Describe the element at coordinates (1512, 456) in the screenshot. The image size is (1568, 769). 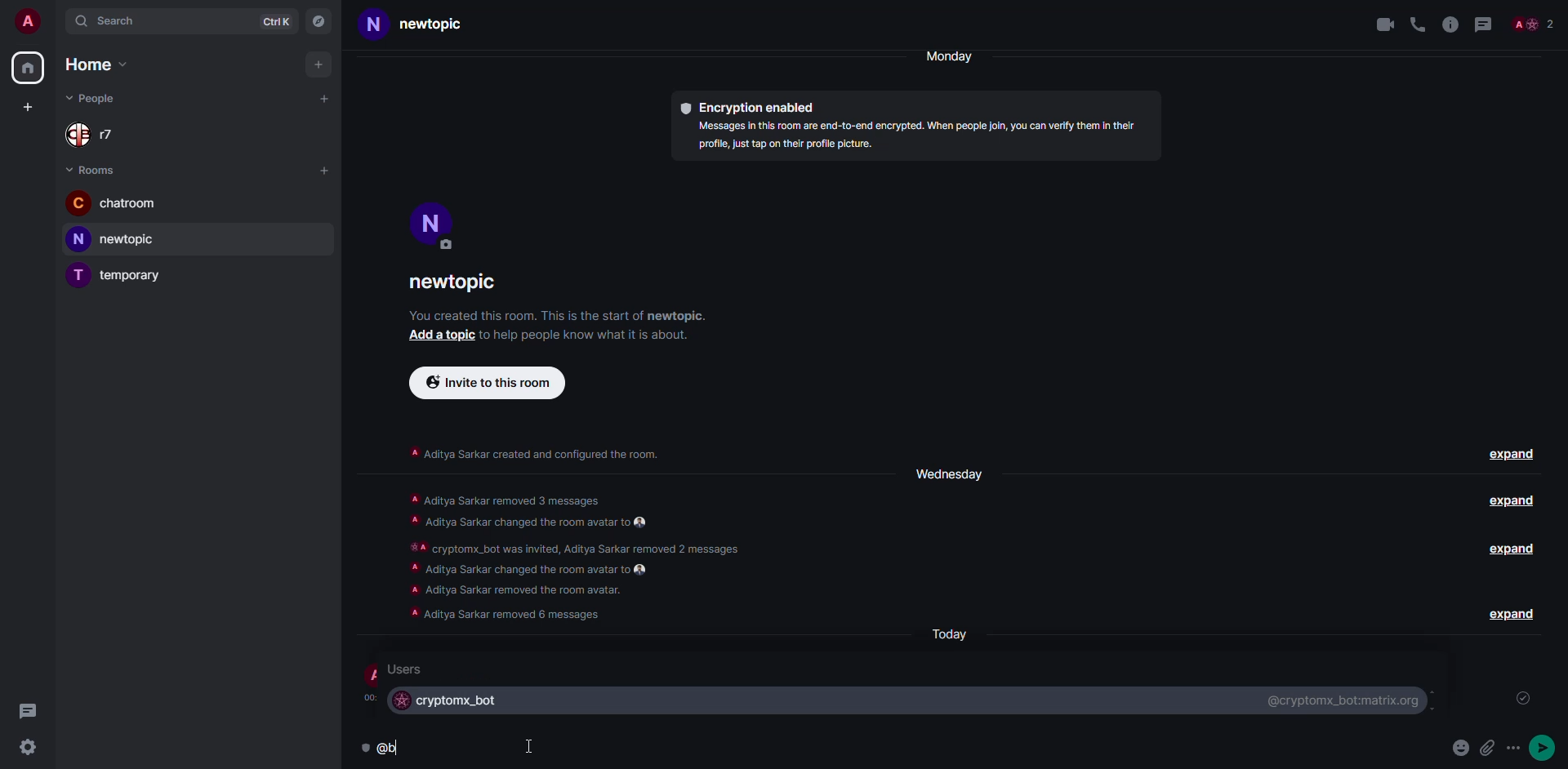
I see `expand` at that location.